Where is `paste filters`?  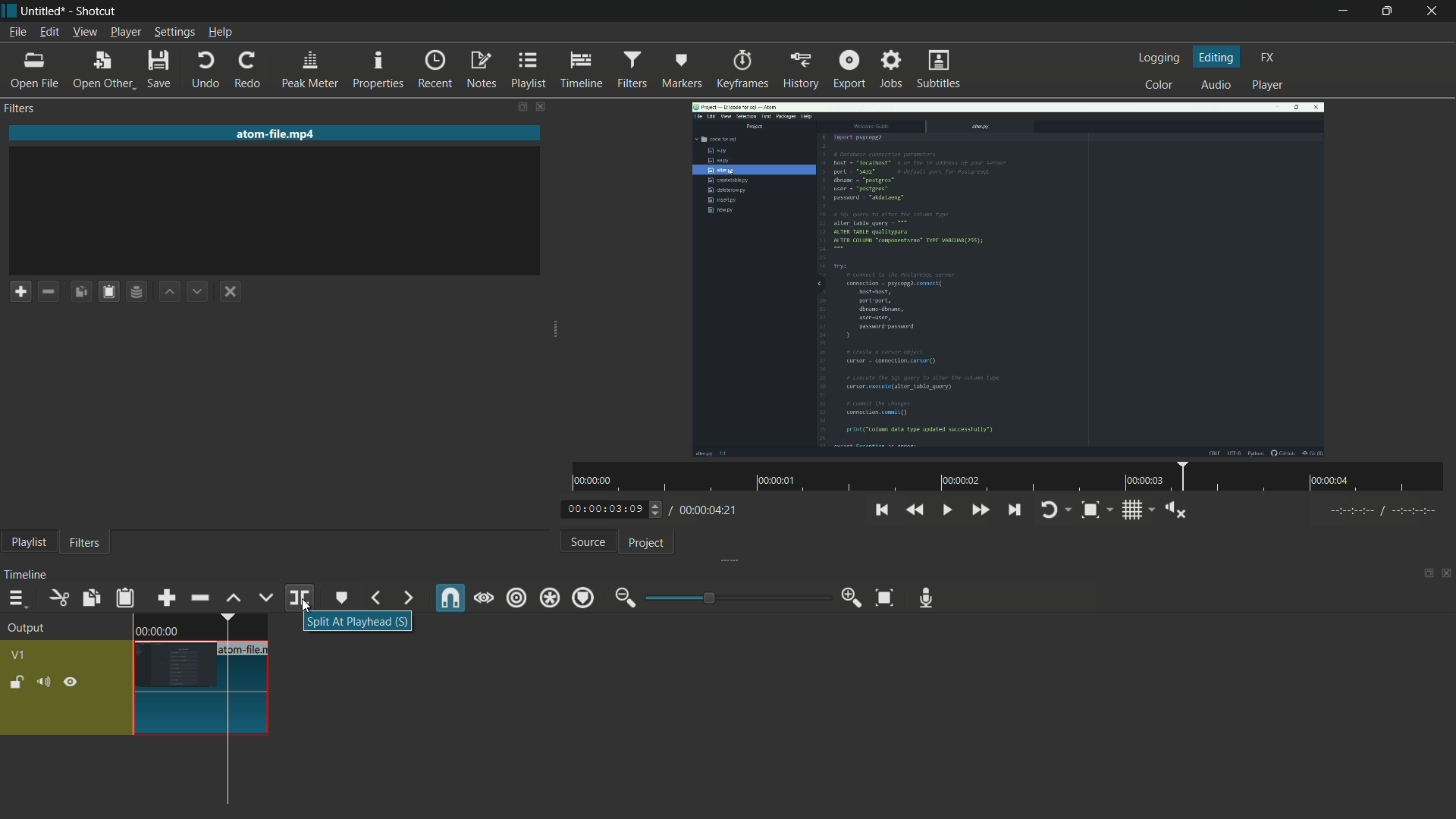 paste filters is located at coordinates (107, 292).